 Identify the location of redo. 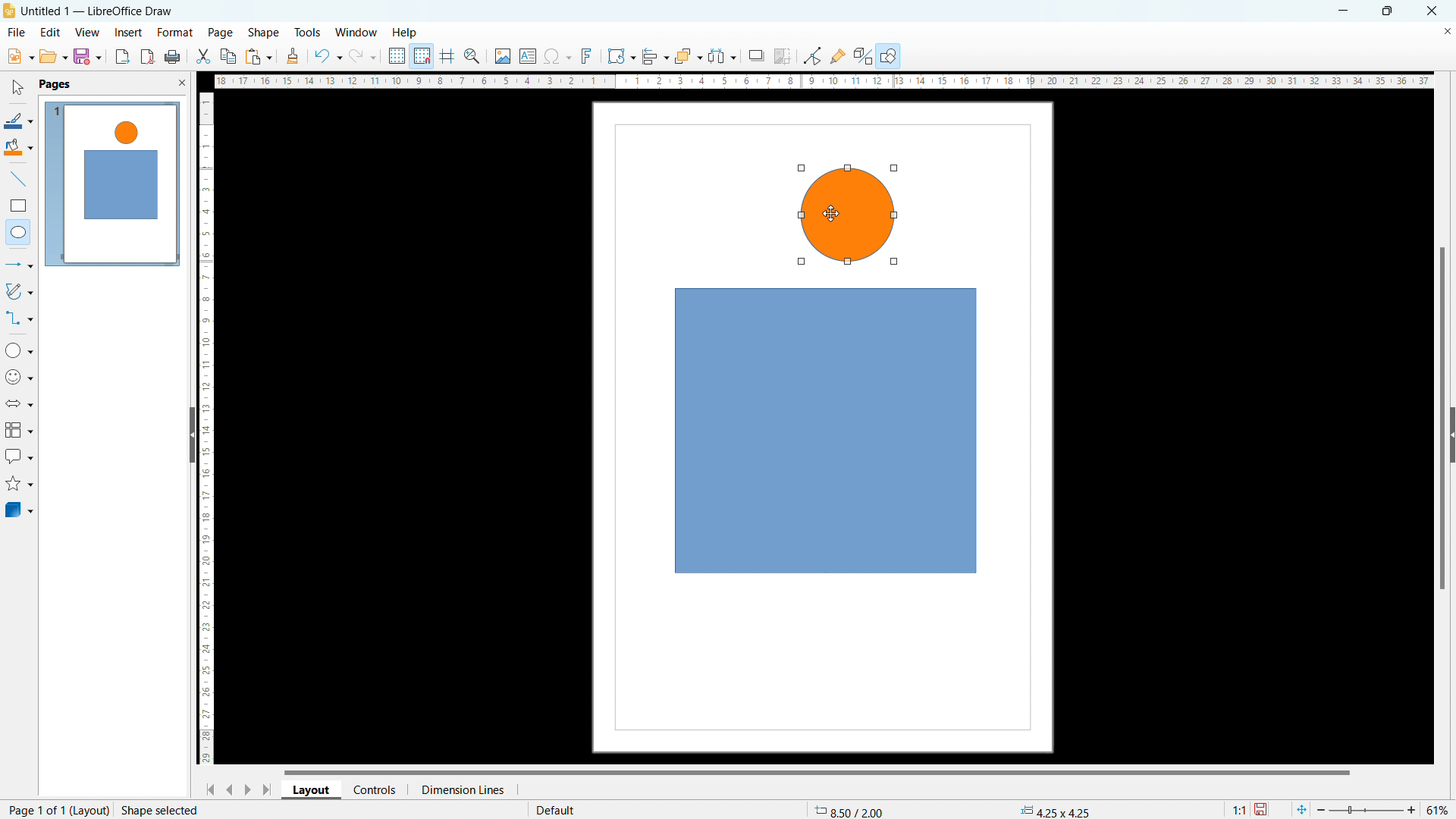
(362, 57).